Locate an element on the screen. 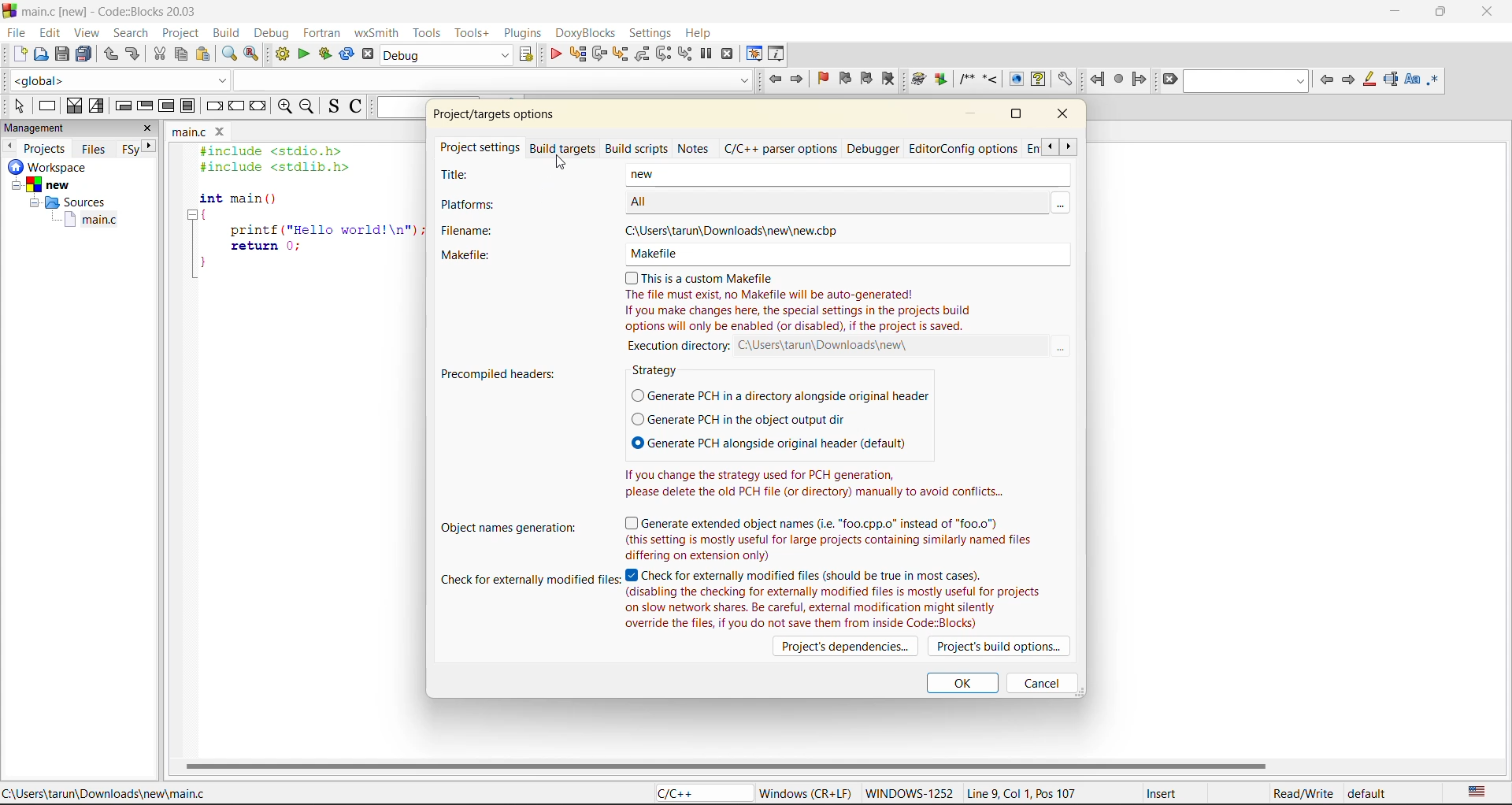 This screenshot has width=1512, height=805. counting loop is located at coordinates (168, 106).